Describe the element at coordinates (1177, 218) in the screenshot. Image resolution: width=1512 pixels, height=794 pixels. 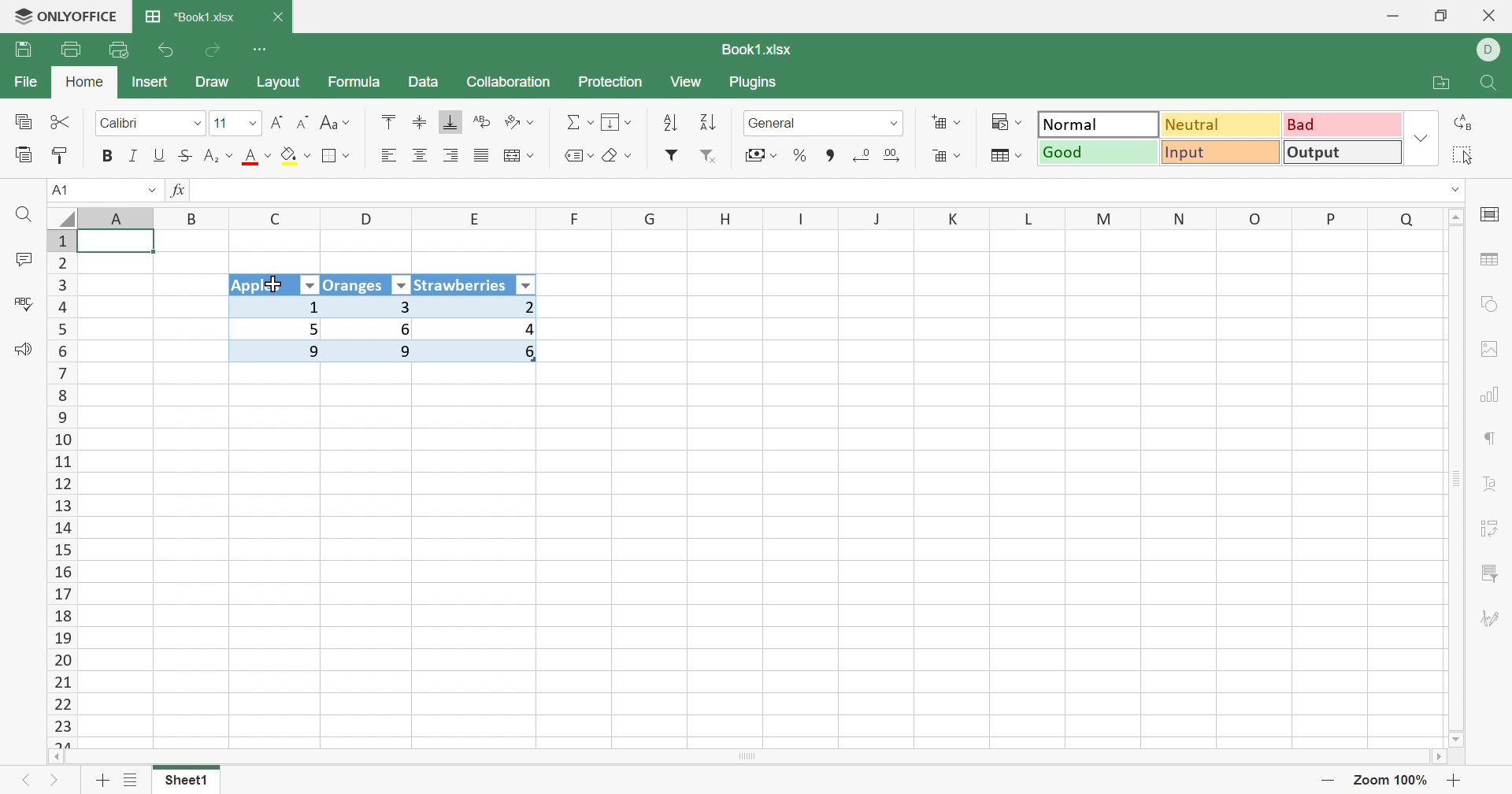
I see `N` at that location.